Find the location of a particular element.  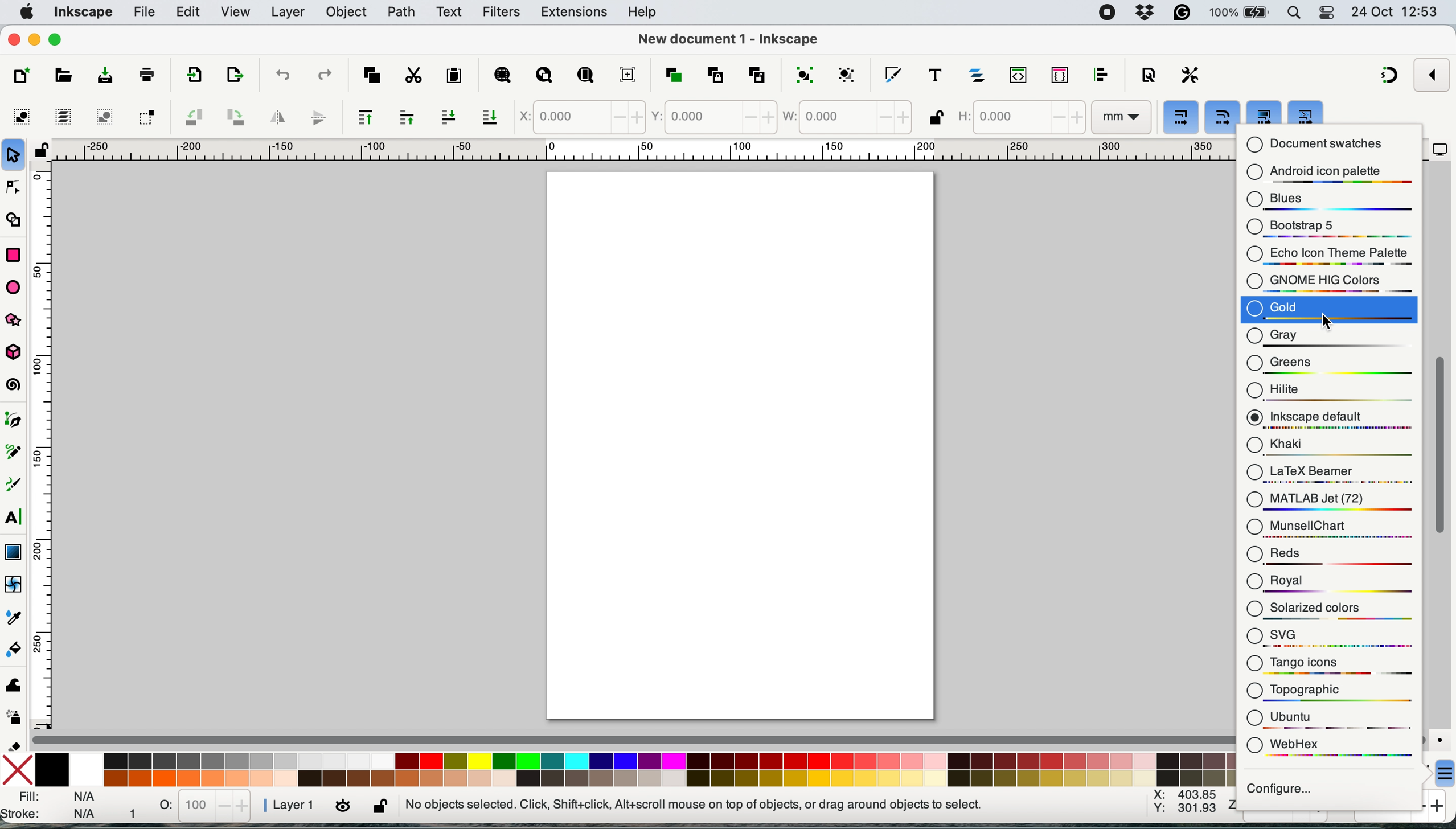

screen recorder is located at coordinates (1104, 13).